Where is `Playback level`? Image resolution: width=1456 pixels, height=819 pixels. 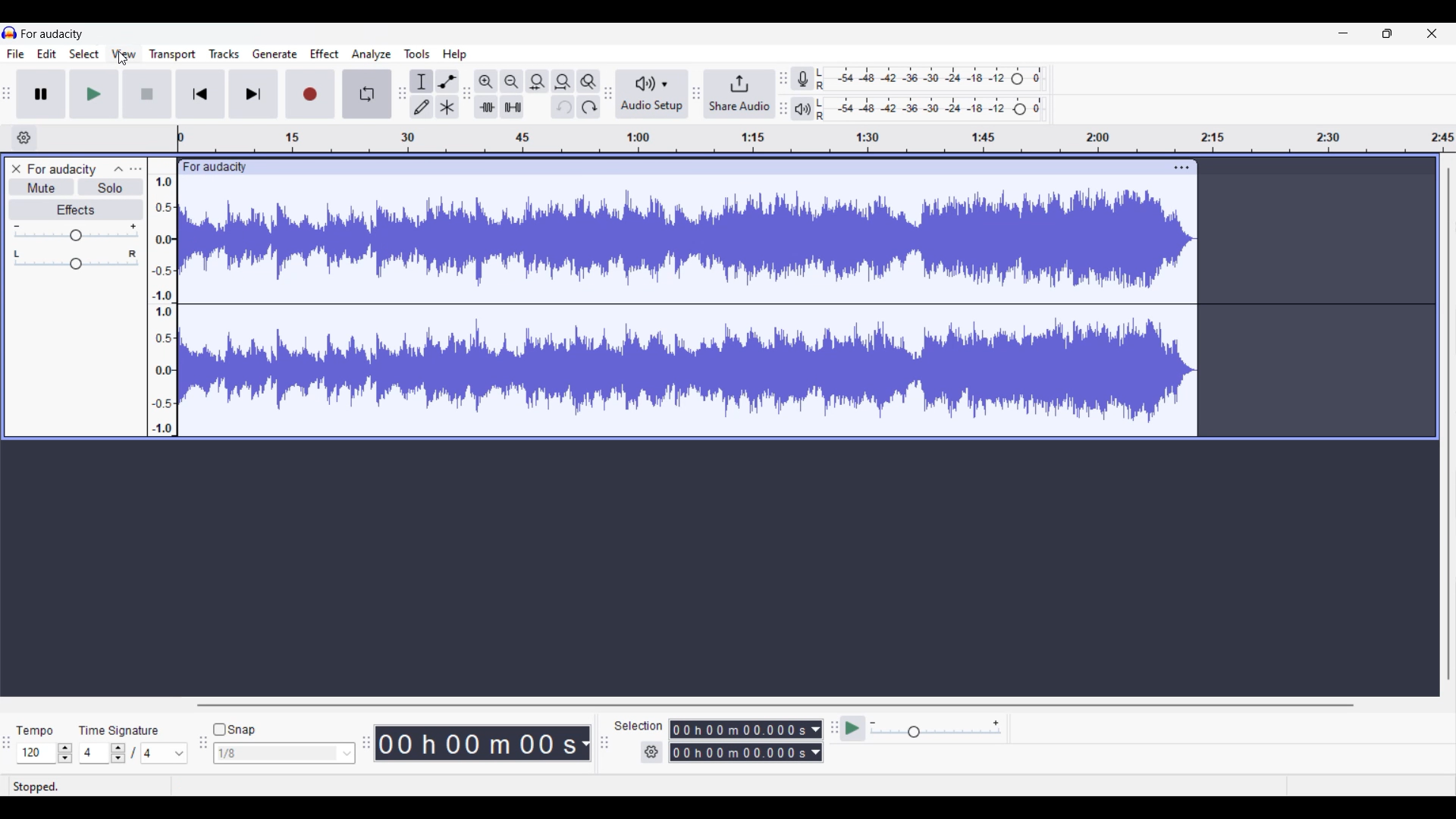 Playback level is located at coordinates (931, 110).